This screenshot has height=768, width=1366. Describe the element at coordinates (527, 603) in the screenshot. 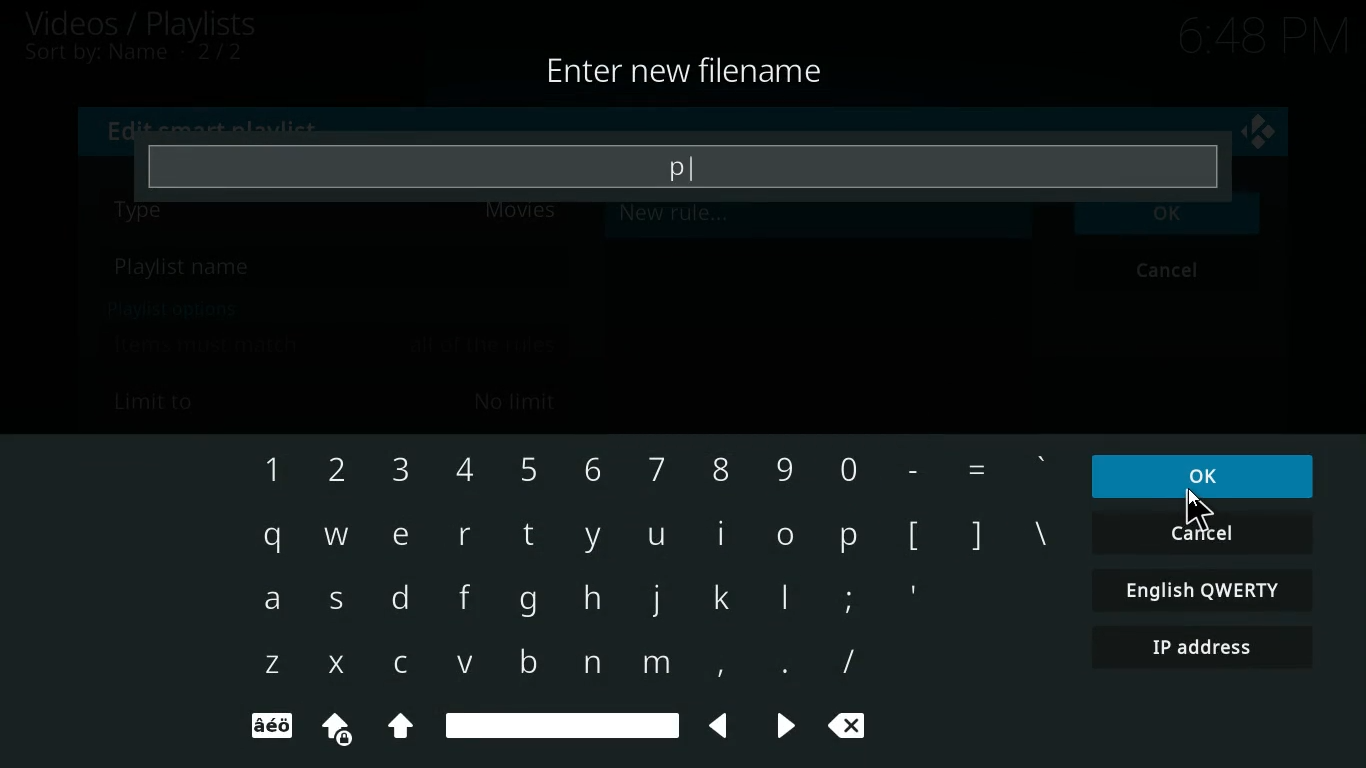

I see `g` at that location.